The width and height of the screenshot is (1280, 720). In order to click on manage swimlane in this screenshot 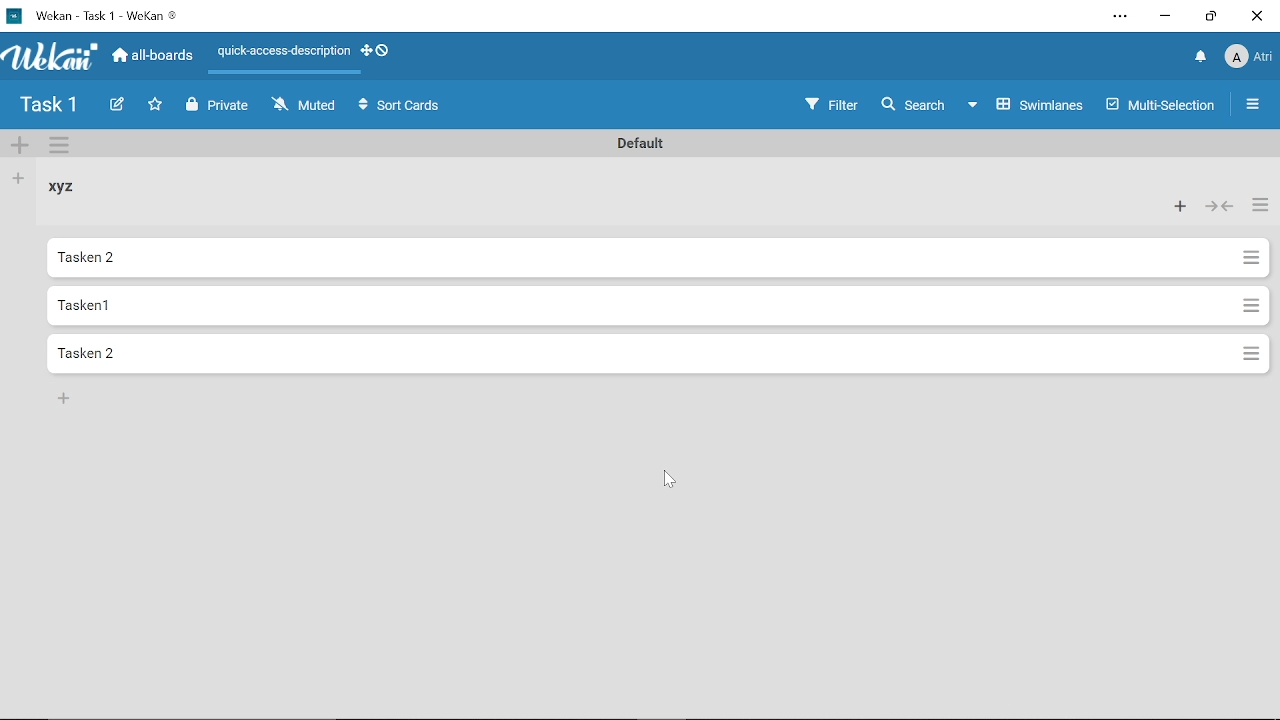, I will do `click(62, 147)`.